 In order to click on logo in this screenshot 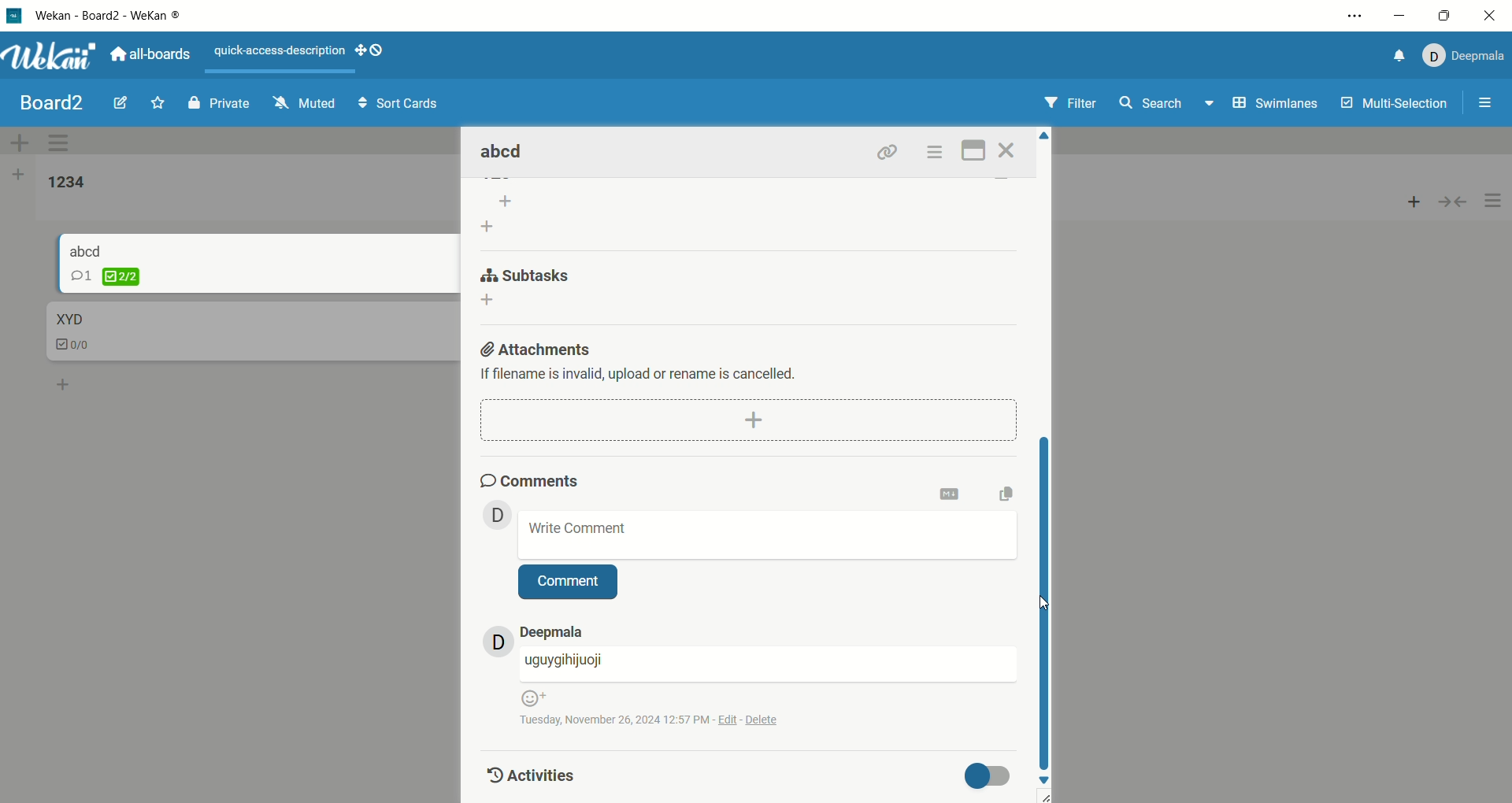, I will do `click(15, 18)`.